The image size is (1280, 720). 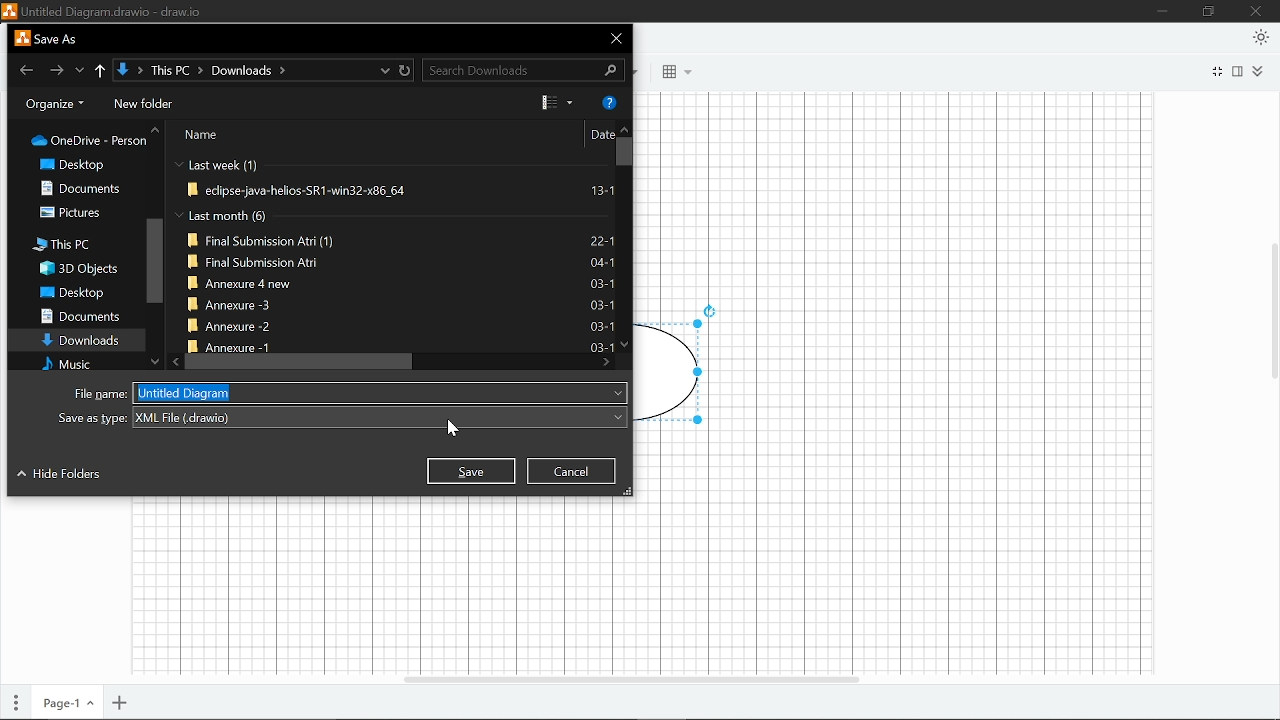 I want to click on Documents, so click(x=89, y=188).